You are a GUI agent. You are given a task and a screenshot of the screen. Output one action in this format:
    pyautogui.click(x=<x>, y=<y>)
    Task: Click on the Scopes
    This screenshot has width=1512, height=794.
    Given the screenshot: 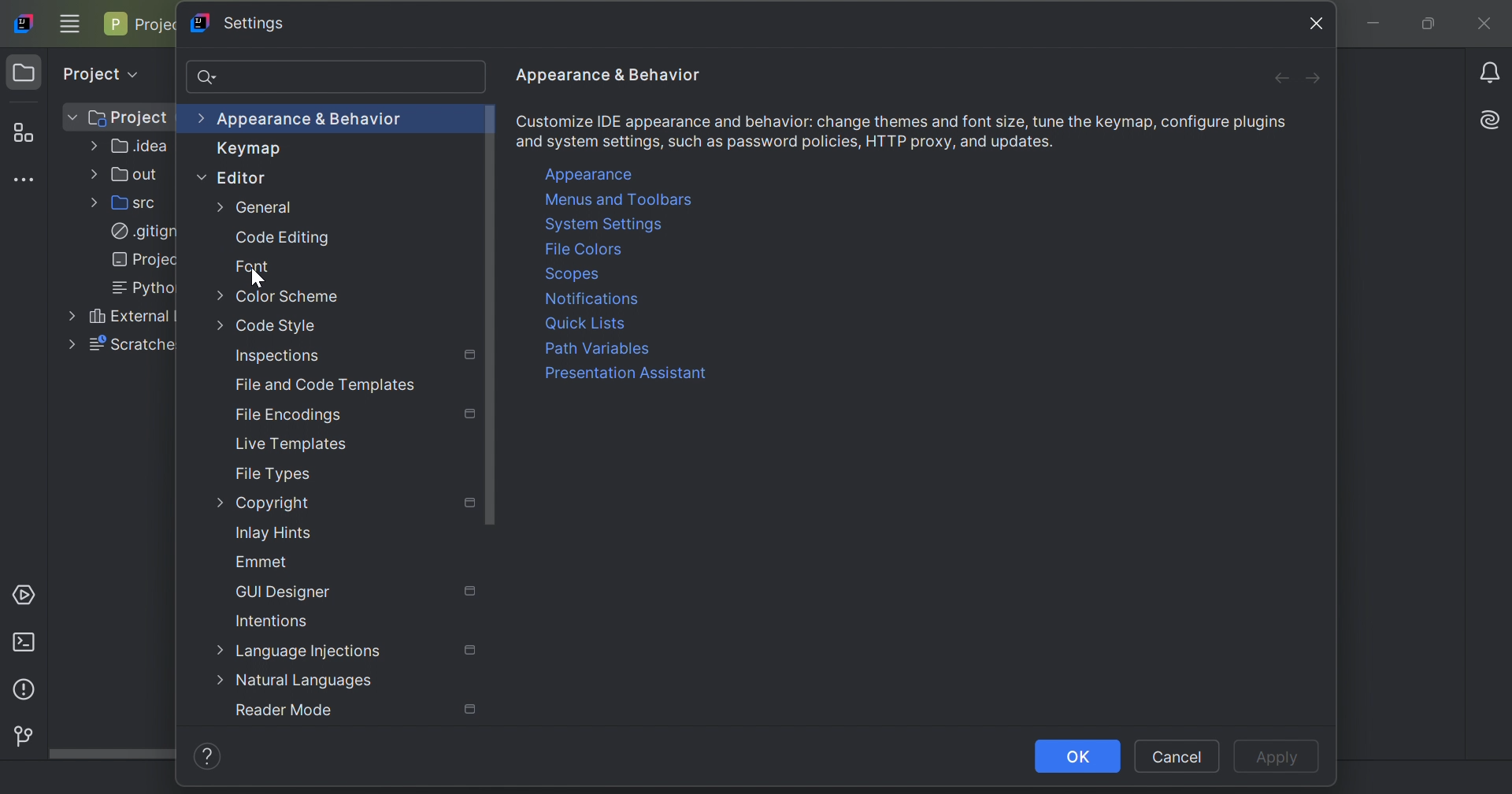 What is the action you would take?
    pyautogui.click(x=591, y=273)
    